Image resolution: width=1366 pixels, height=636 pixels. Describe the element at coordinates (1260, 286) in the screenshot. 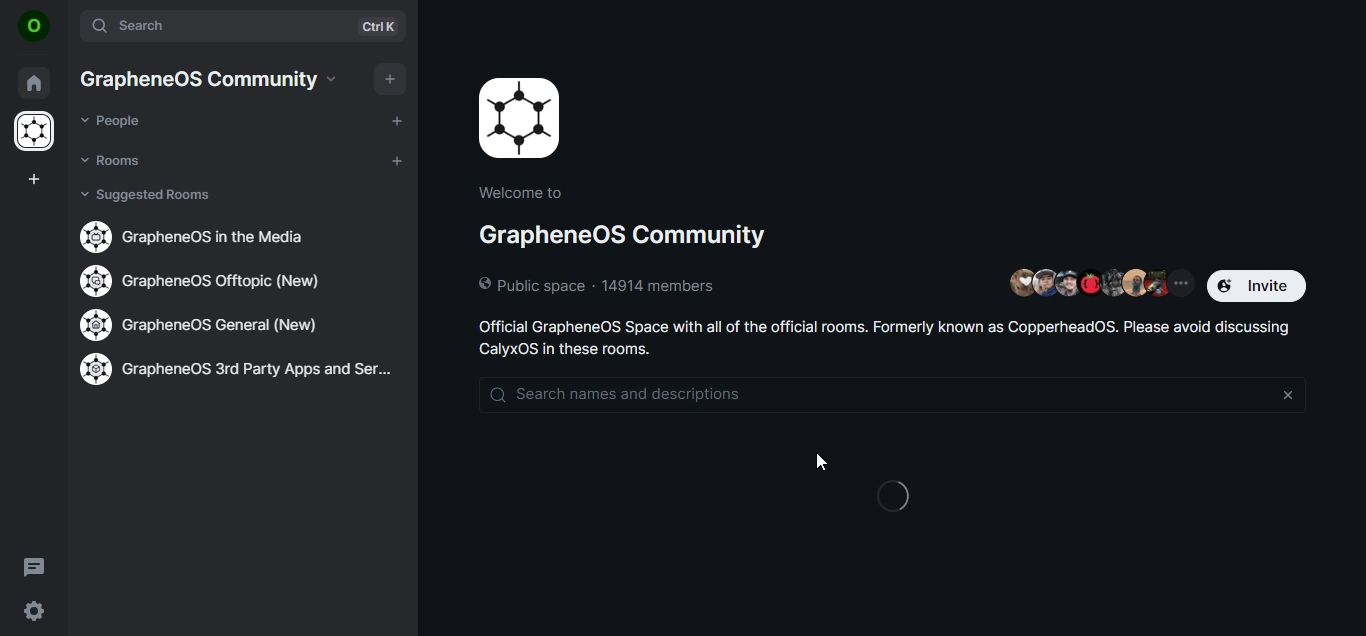

I see `invite` at that location.